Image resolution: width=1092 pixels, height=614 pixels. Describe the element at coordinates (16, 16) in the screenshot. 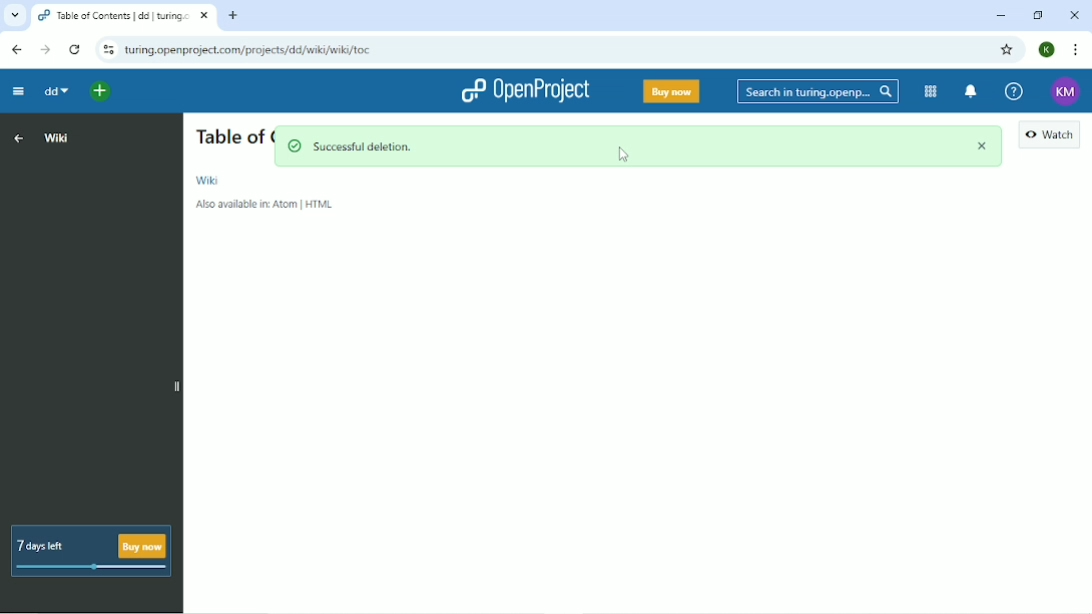

I see `Search tabs` at that location.